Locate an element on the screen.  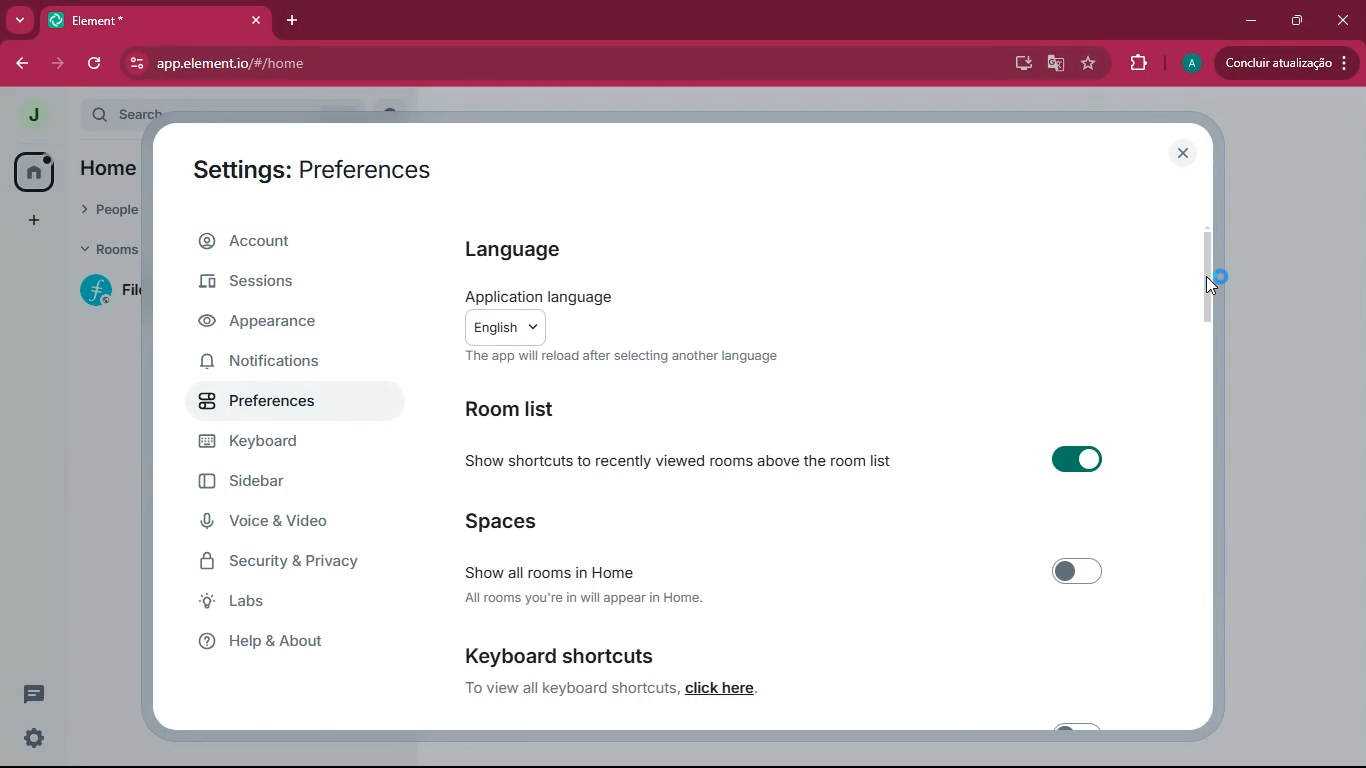
minimize is located at coordinates (1248, 21).